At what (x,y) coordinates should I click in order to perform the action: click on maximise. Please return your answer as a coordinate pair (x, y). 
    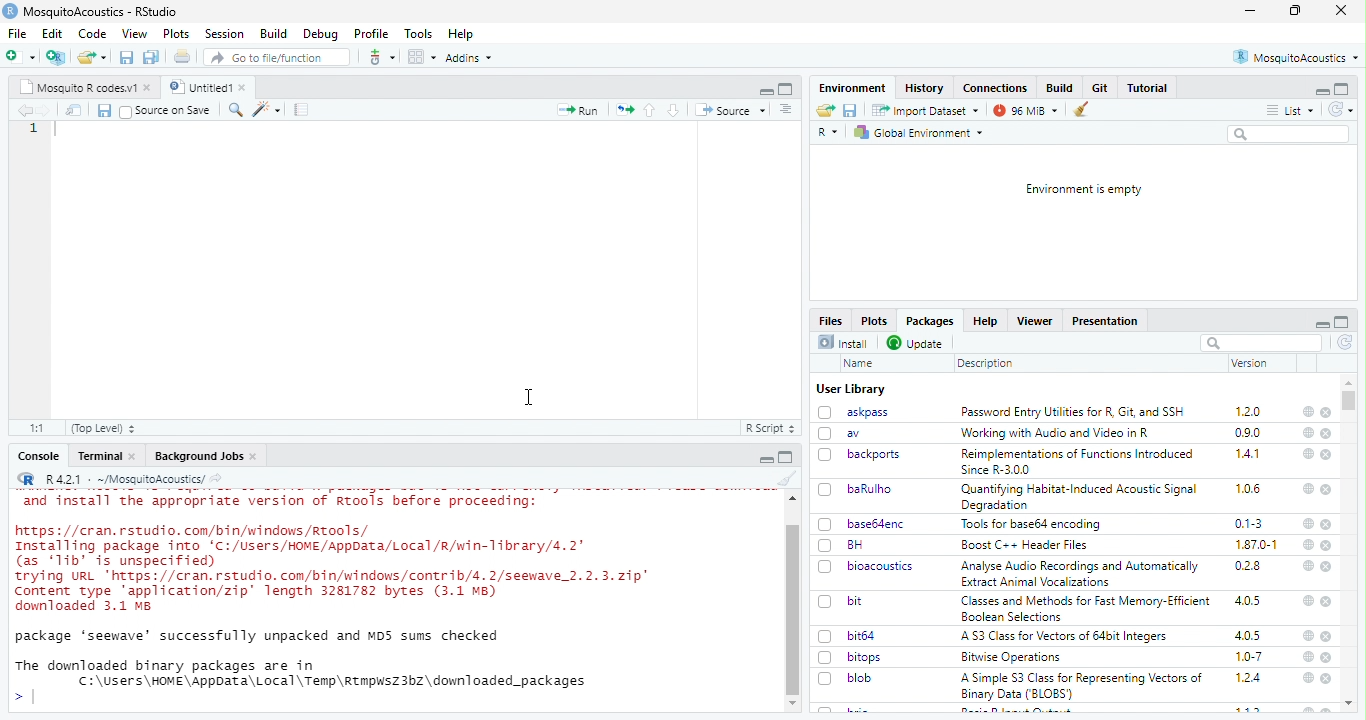
    Looking at the image, I should click on (1342, 89).